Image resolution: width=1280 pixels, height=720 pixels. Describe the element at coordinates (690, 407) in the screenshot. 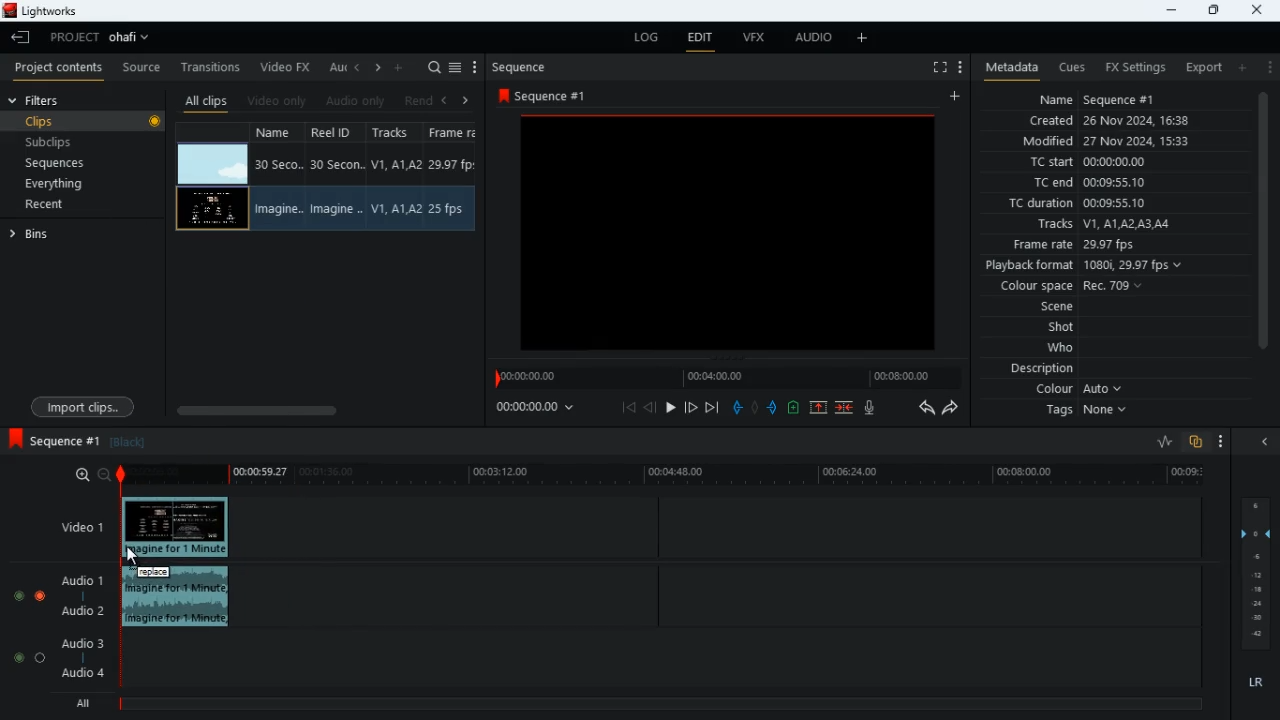

I see `forward` at that location.